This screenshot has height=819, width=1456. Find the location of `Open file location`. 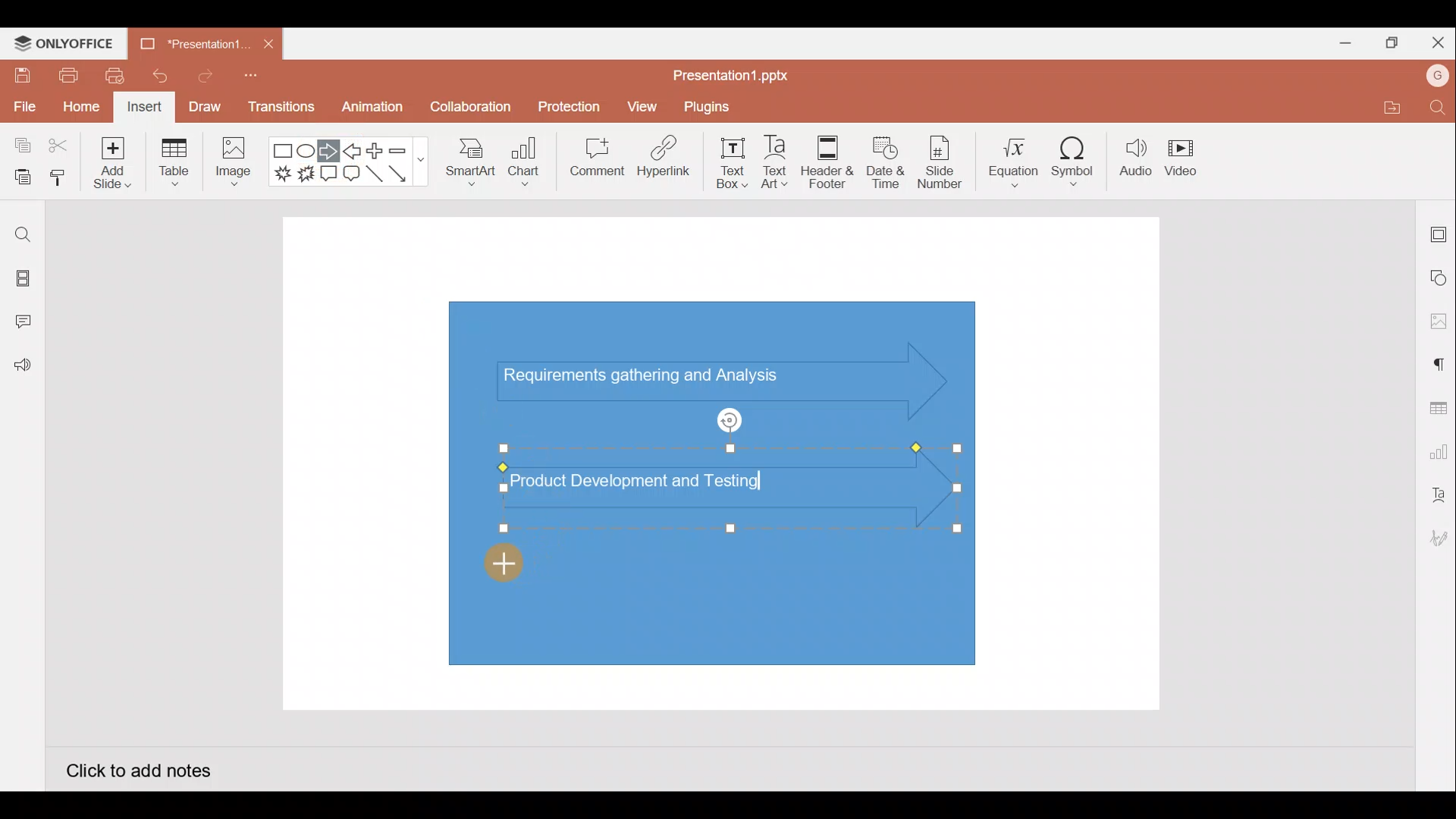

Open file location is located at coordinates (1389, 107).